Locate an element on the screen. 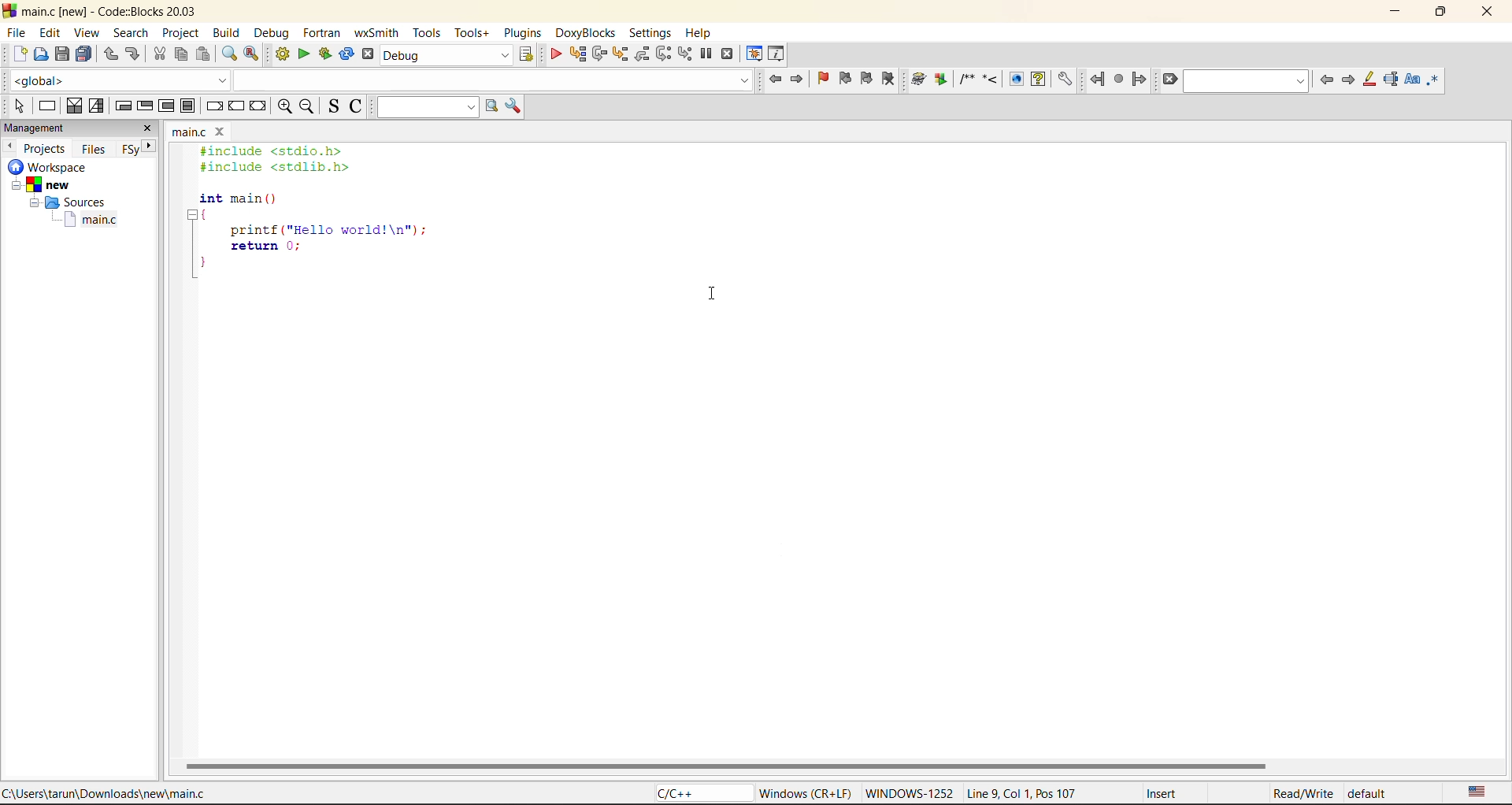 The image size is (1512, 805). Insert is located at coordinates (1161, 793).